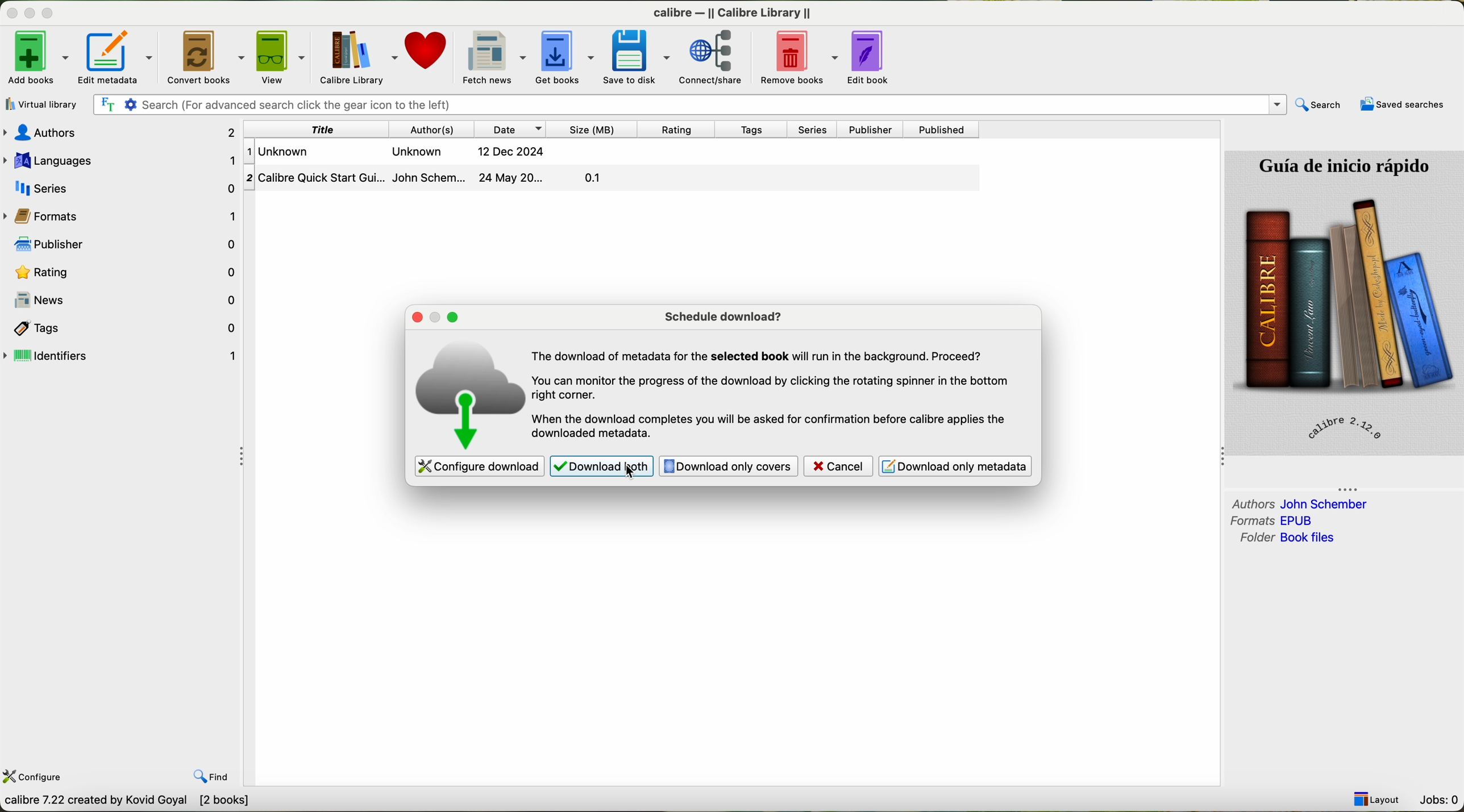 The width and height of the screenshot is (1464, 812). What do you see at coordinates (1344, 302) in the screenshot?
I see `book cover preview` at bounding box center [1344, 302].